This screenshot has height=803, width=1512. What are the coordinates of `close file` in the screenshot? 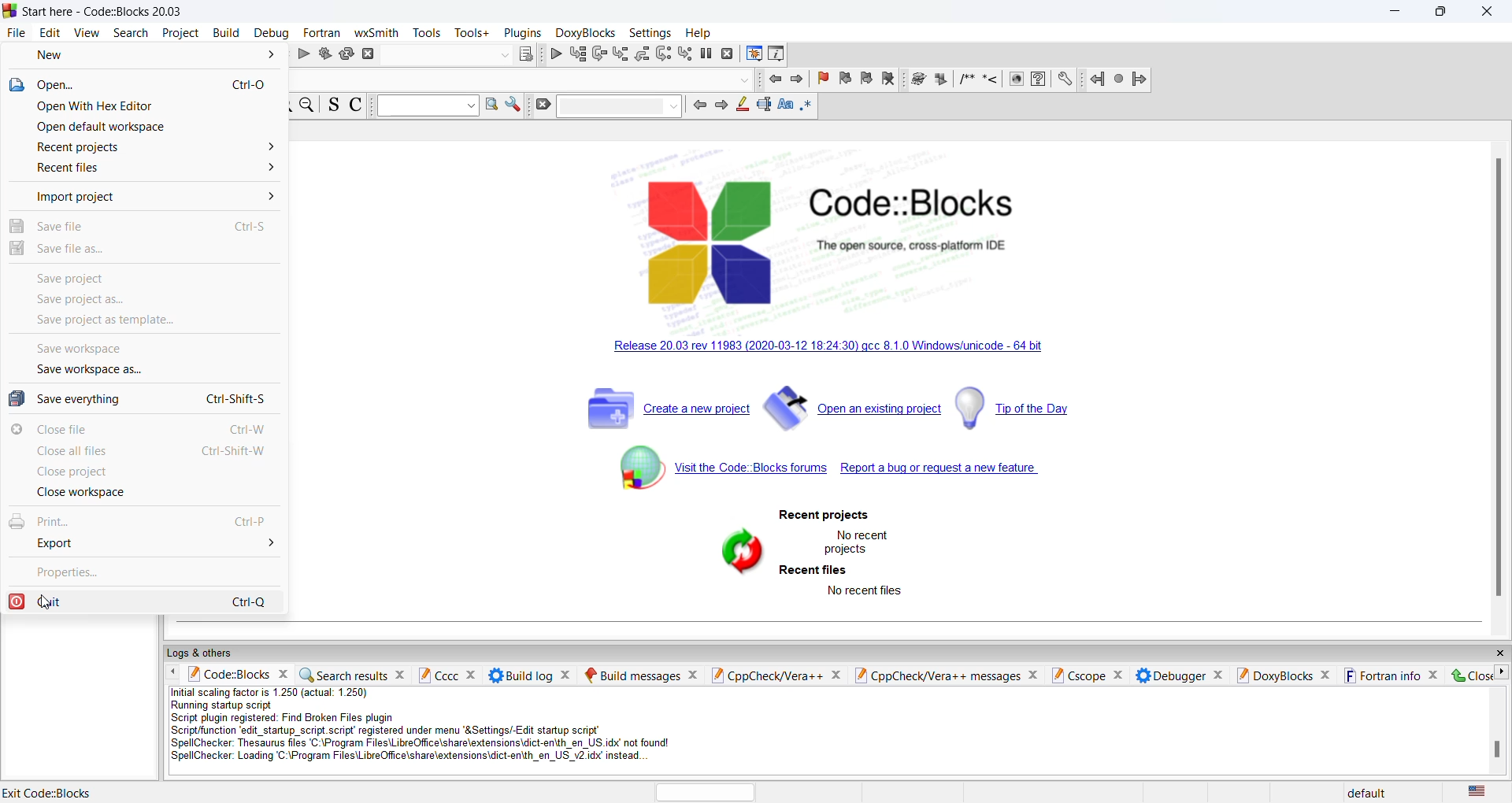 It's located at (143, 431).